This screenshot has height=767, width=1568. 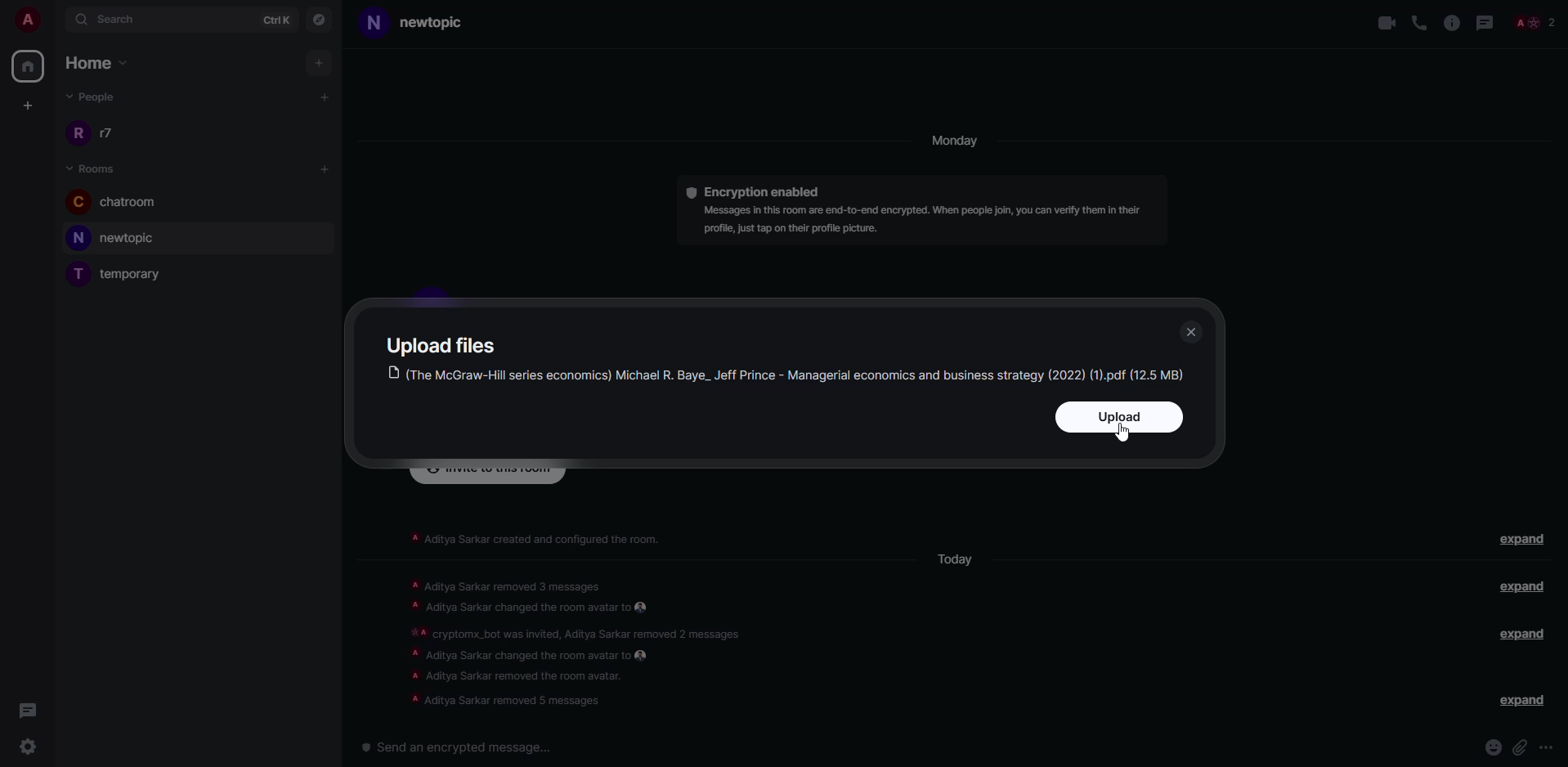 What do you see at coordinates (585, 637) in the screenshot?
I see `info` at bounding box center [585, 637].